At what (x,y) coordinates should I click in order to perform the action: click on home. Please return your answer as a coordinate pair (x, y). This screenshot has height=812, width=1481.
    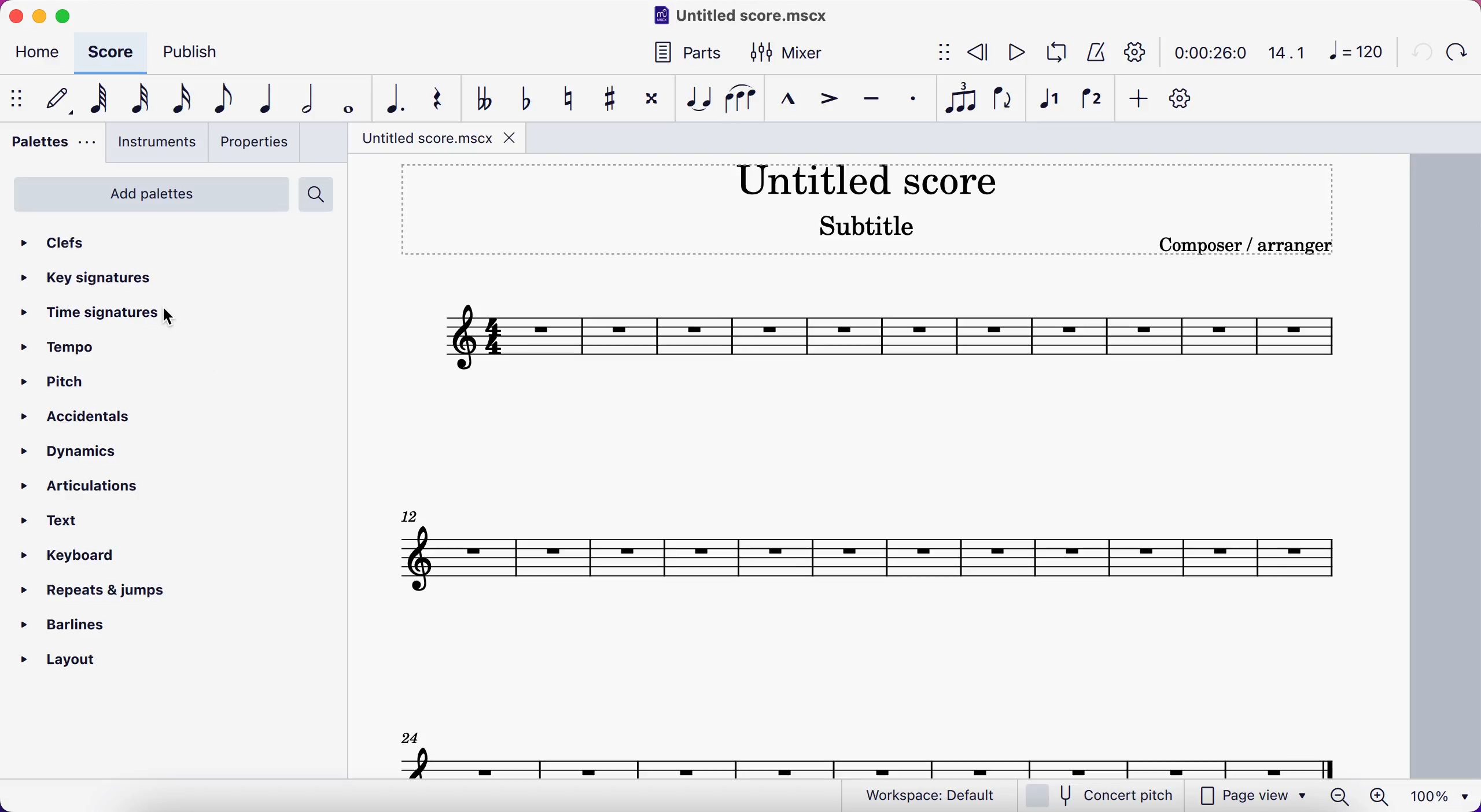
    Looking at the image, I should click on (32, 55).